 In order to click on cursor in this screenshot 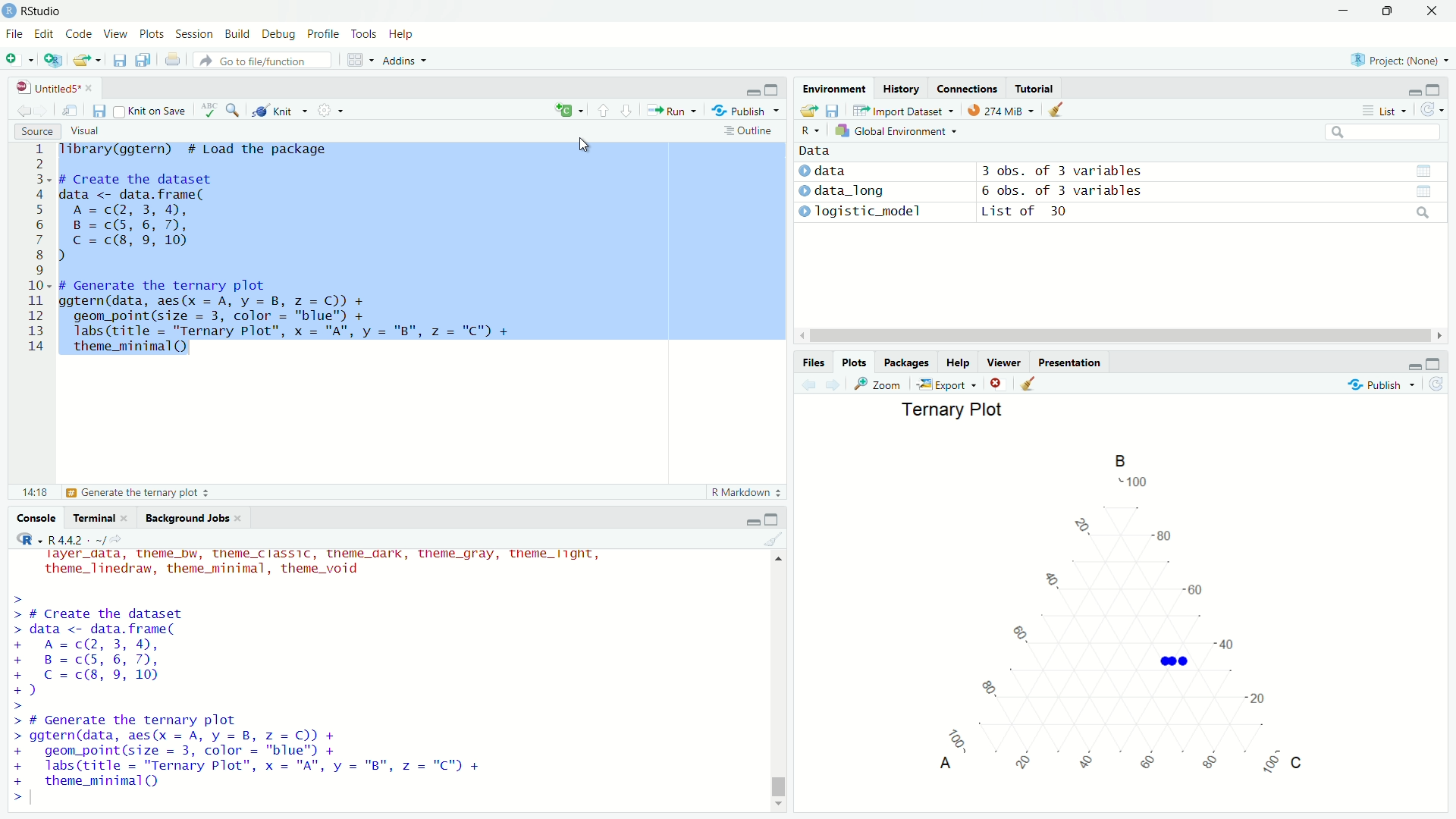, I will do `click(585, 144)`.